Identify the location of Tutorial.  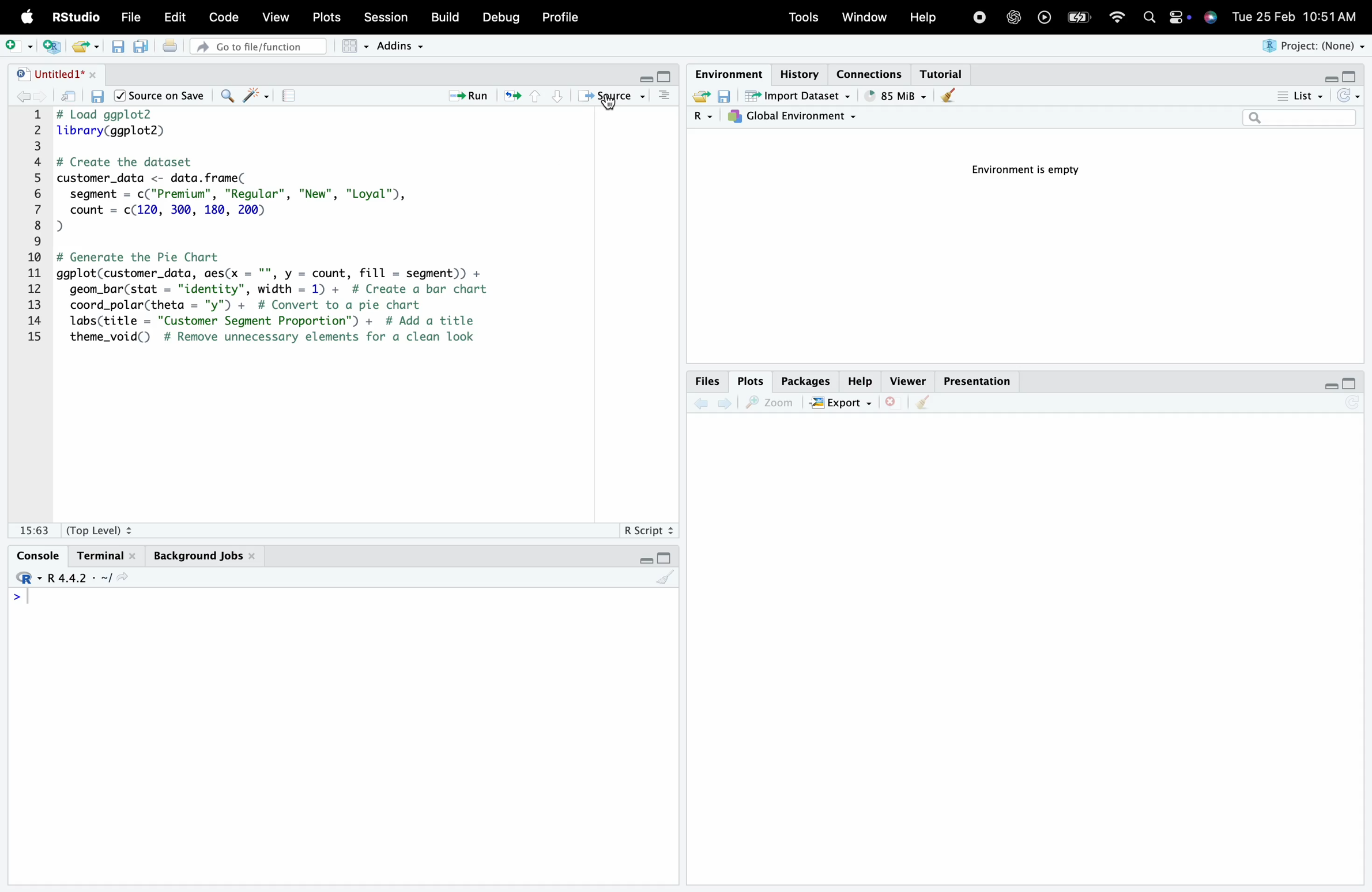
(945, 73).